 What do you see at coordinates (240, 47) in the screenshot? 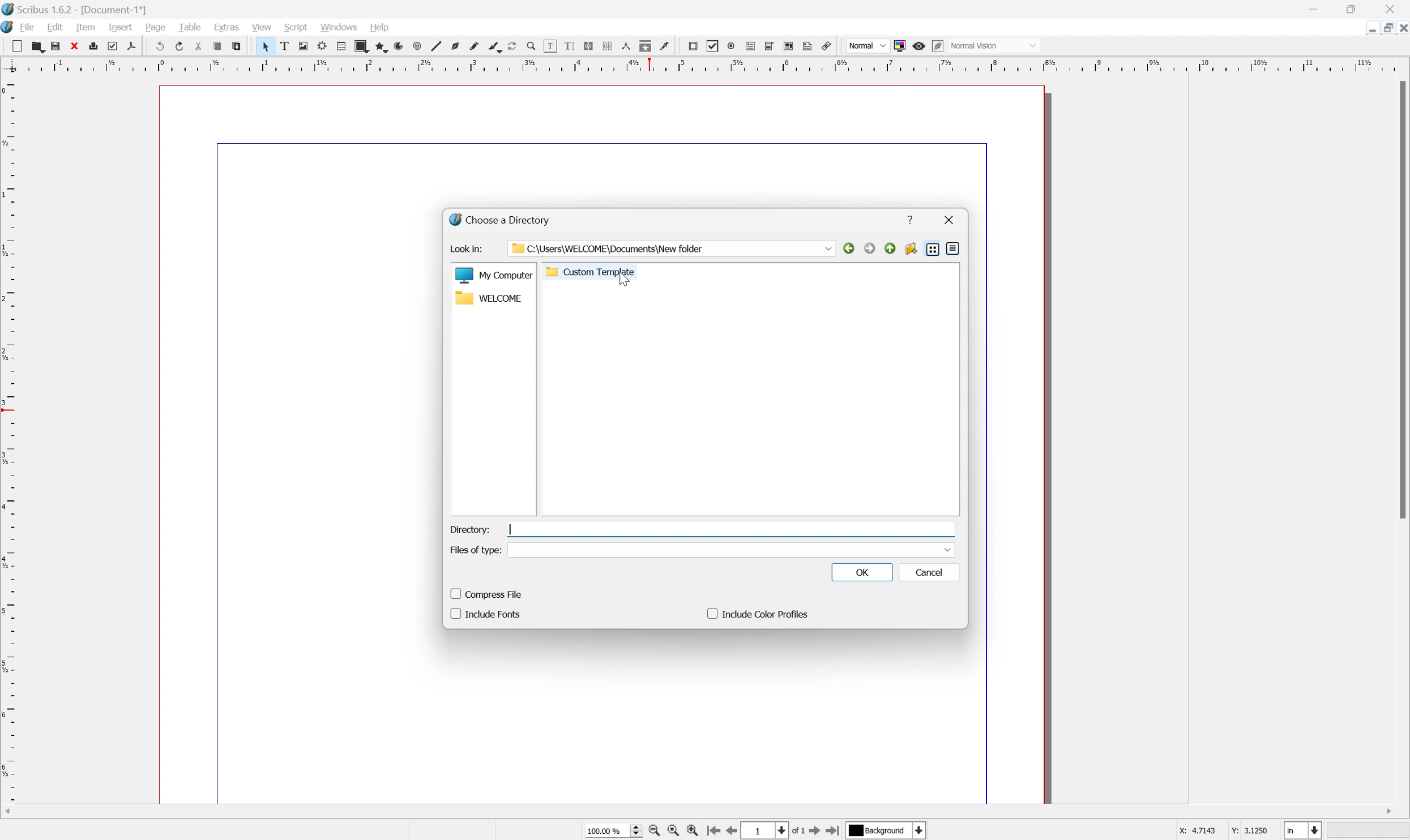
I see `paste` at bounding box center [240, 47].